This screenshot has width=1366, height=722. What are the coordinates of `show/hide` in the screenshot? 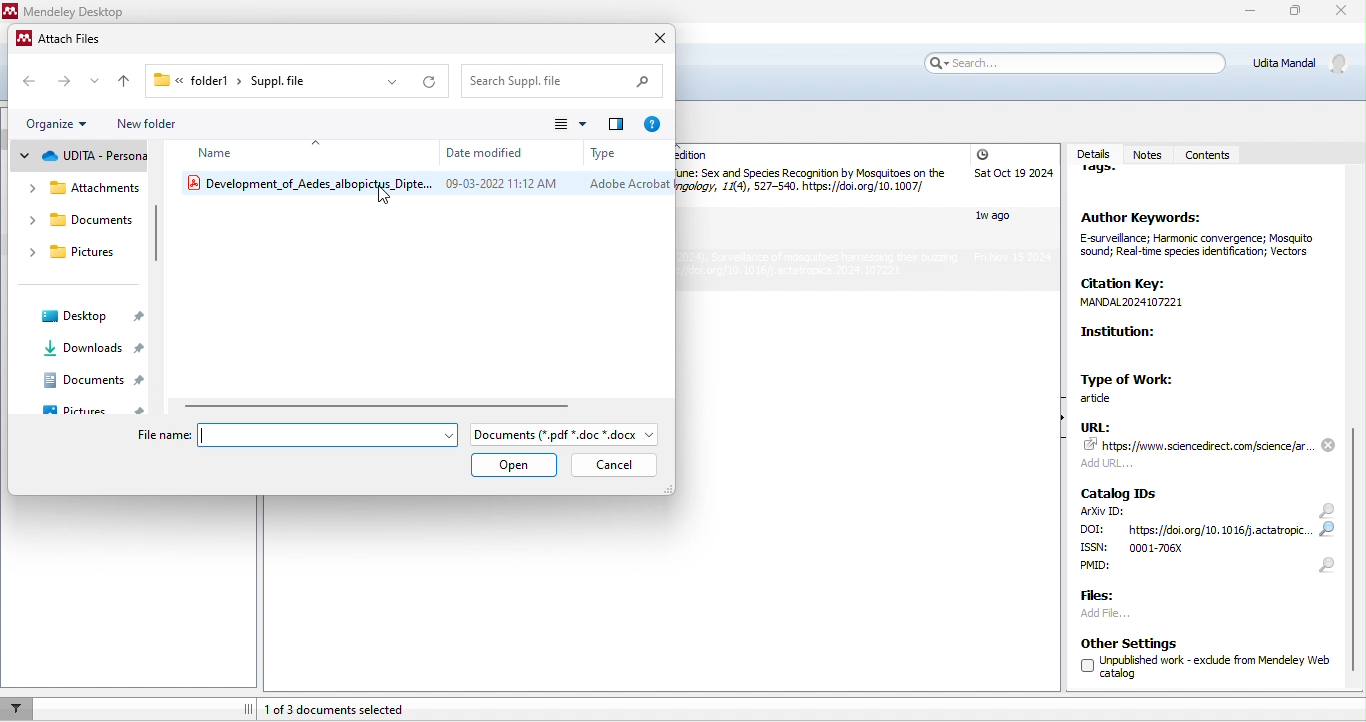 It's located at (1049, 419).